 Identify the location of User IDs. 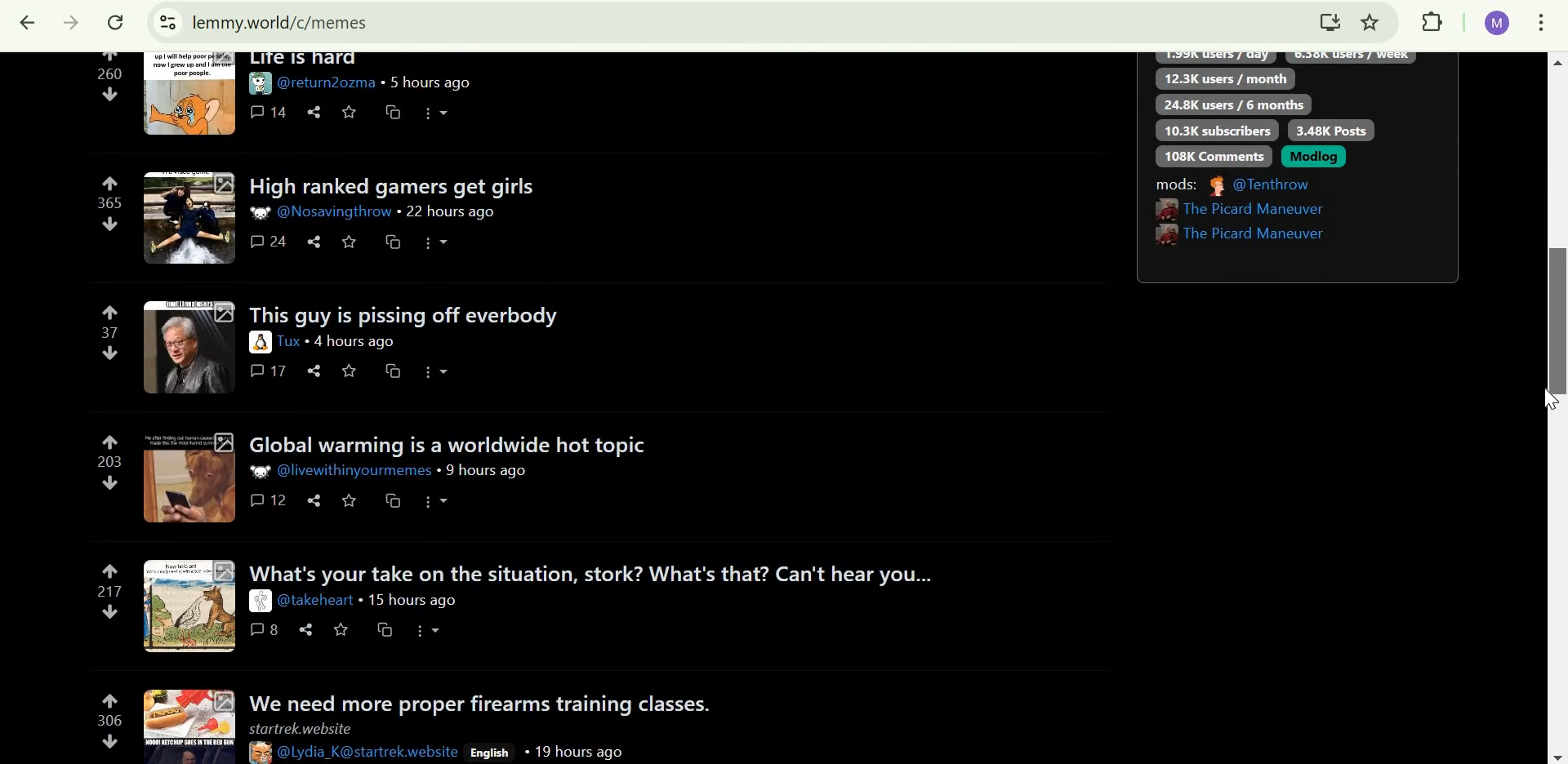
(1248, 222).